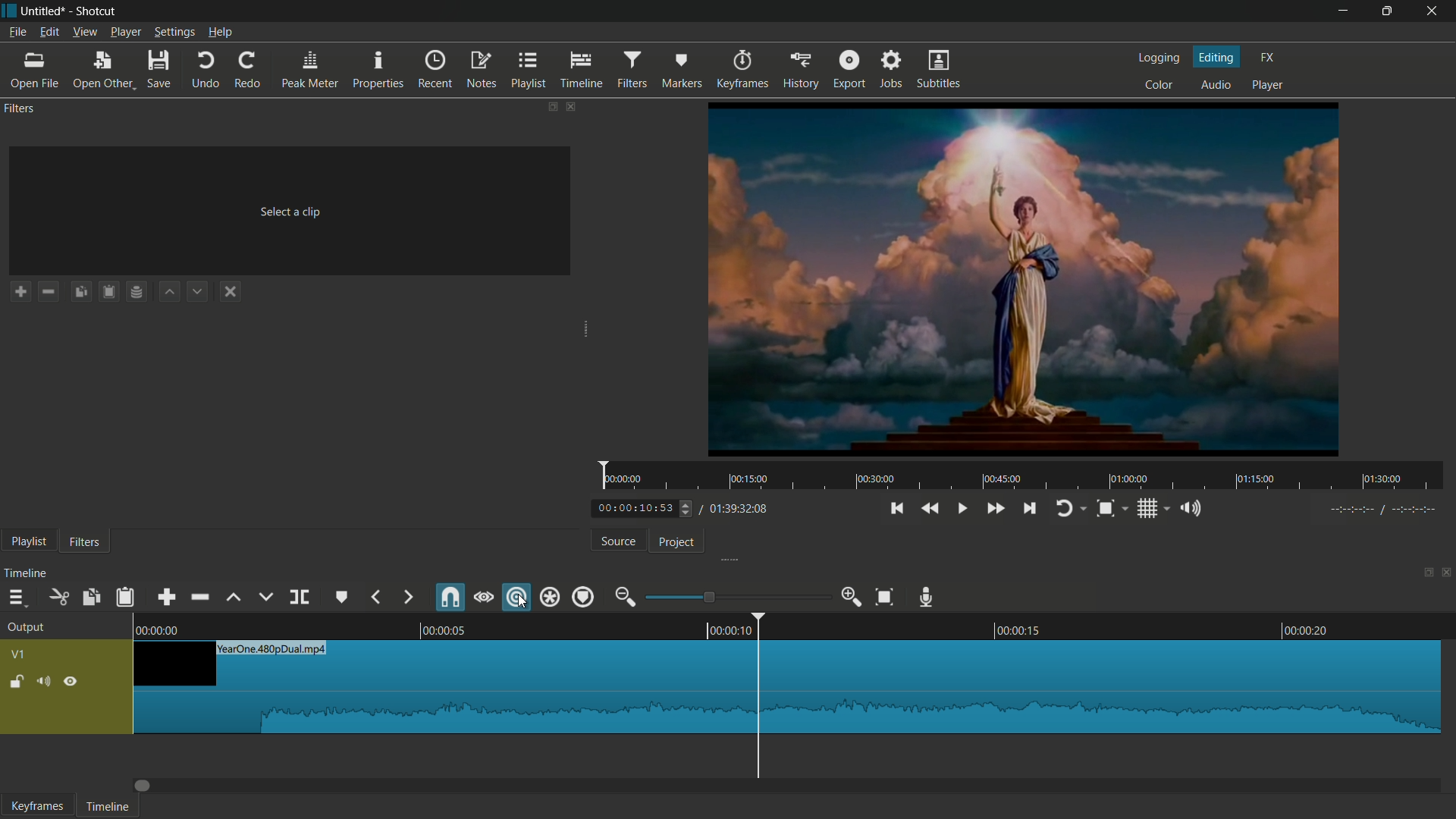 The width and height of the screenshot is (1456, 819). Describe the element at coordinates (20, 109) in the screenshot. I see `filters` at that location.